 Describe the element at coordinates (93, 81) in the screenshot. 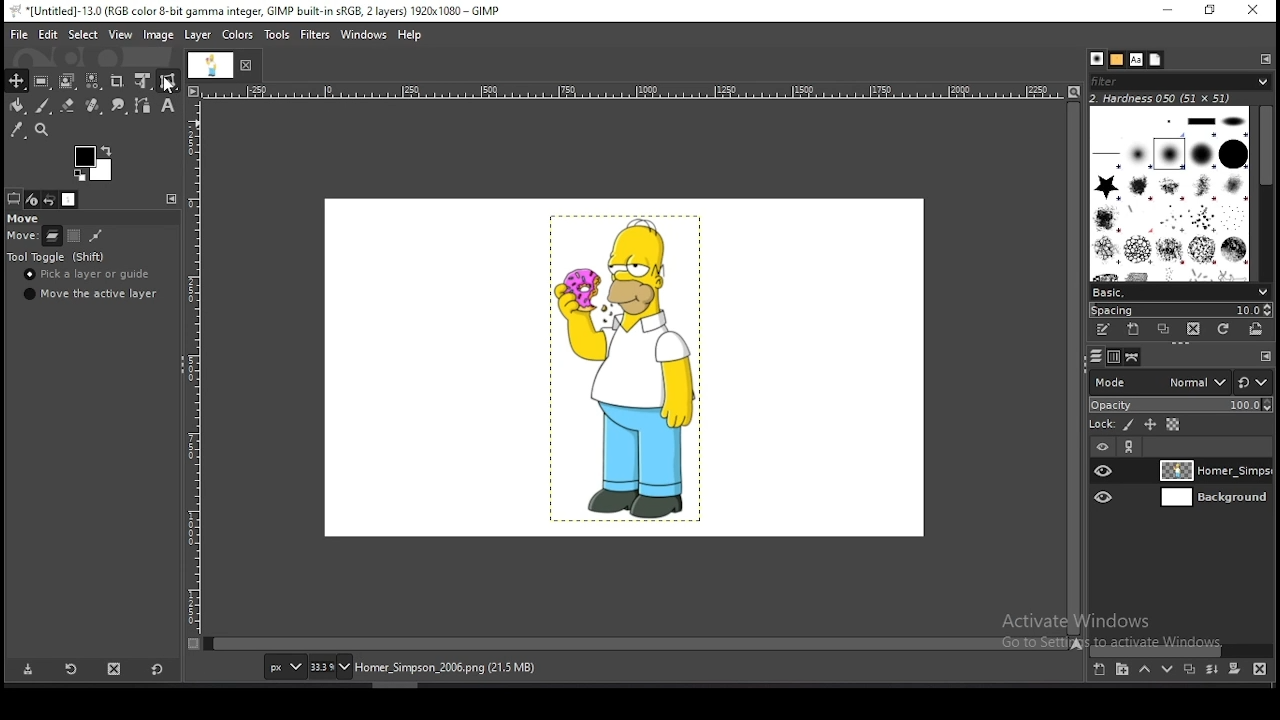

I see `select by color tool` at that location.